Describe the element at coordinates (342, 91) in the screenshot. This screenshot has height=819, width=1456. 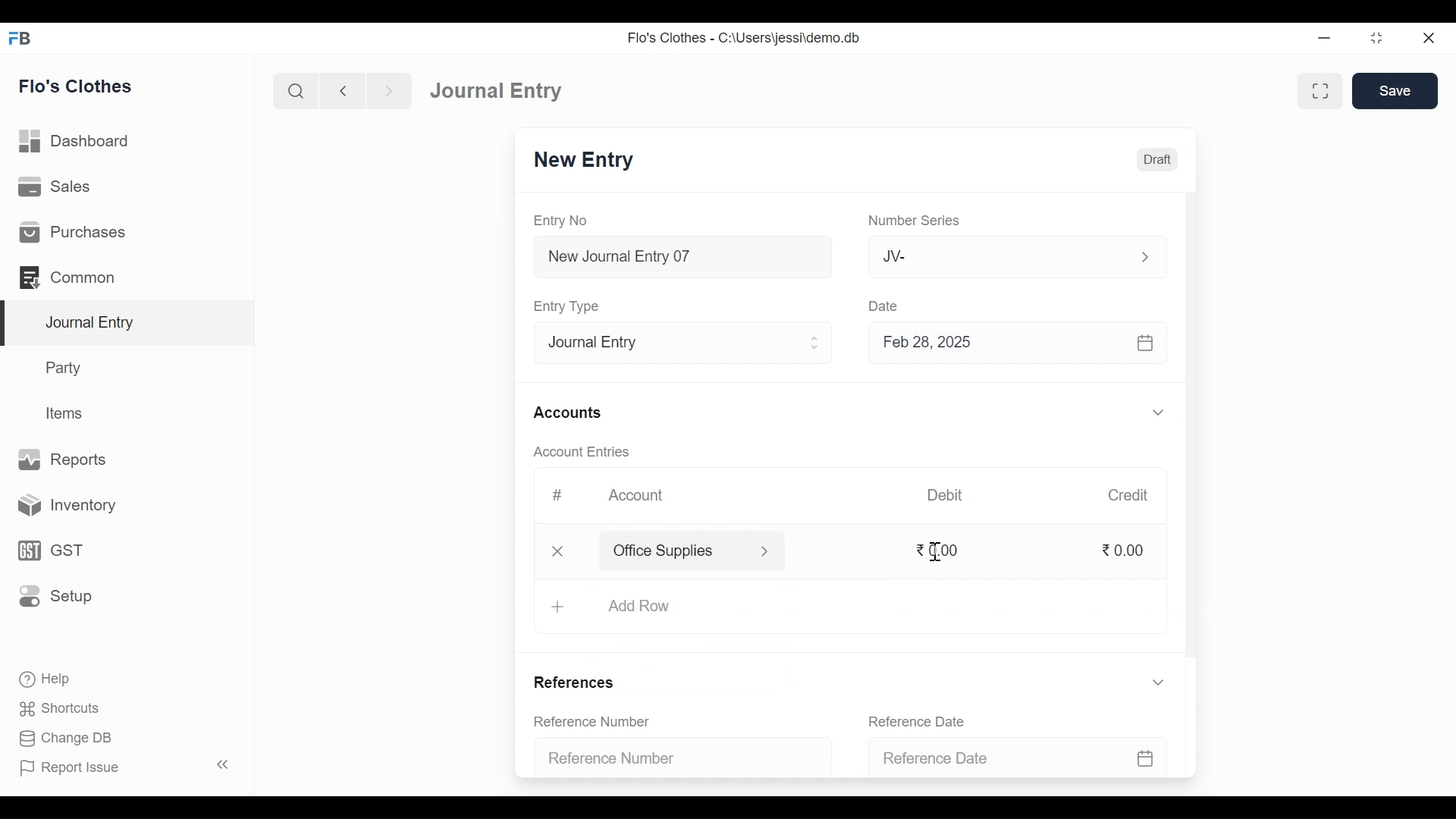
I see `Navigate Back` at that location.